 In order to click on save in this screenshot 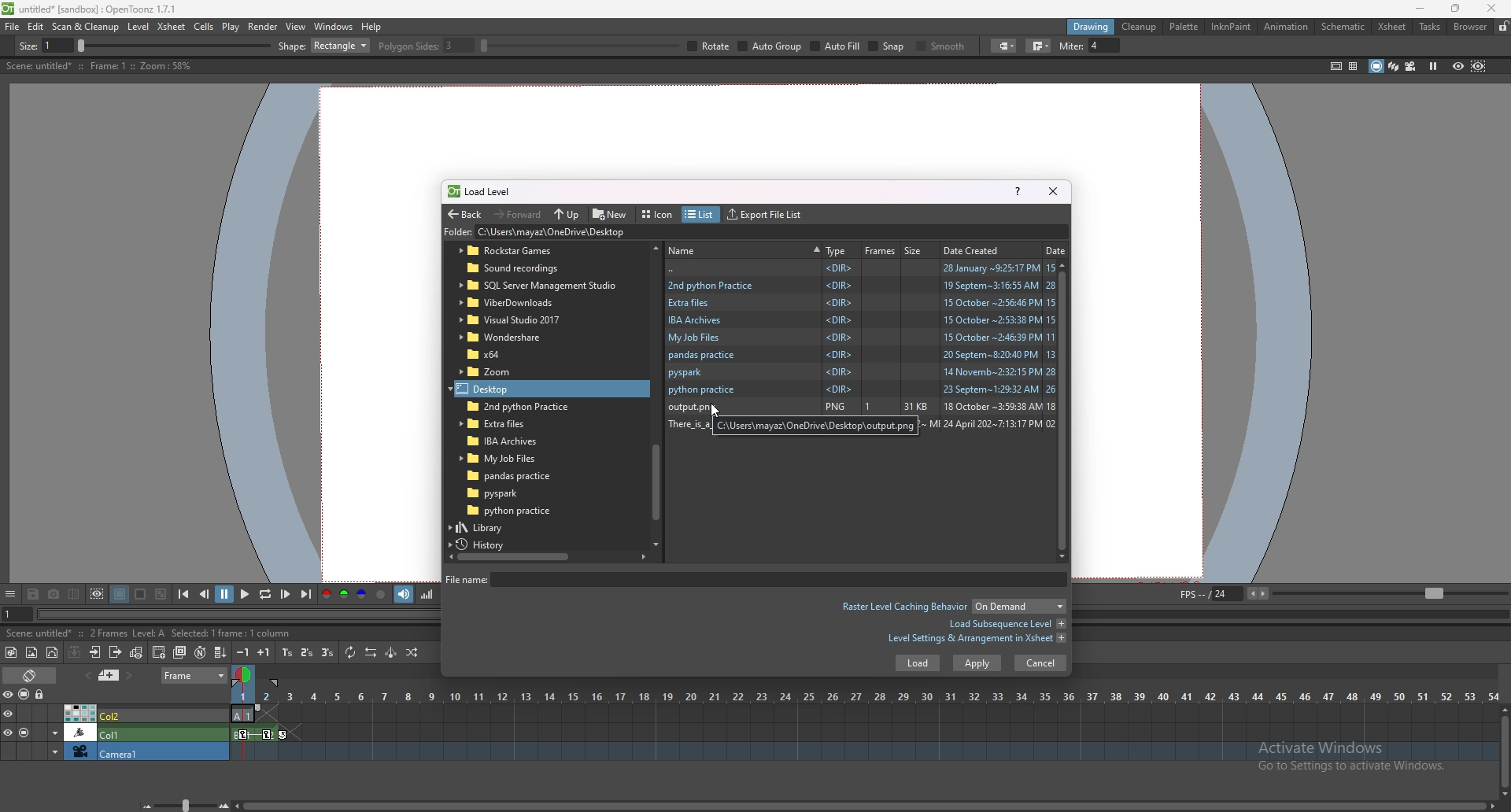, I will do `click(33, 596)`.